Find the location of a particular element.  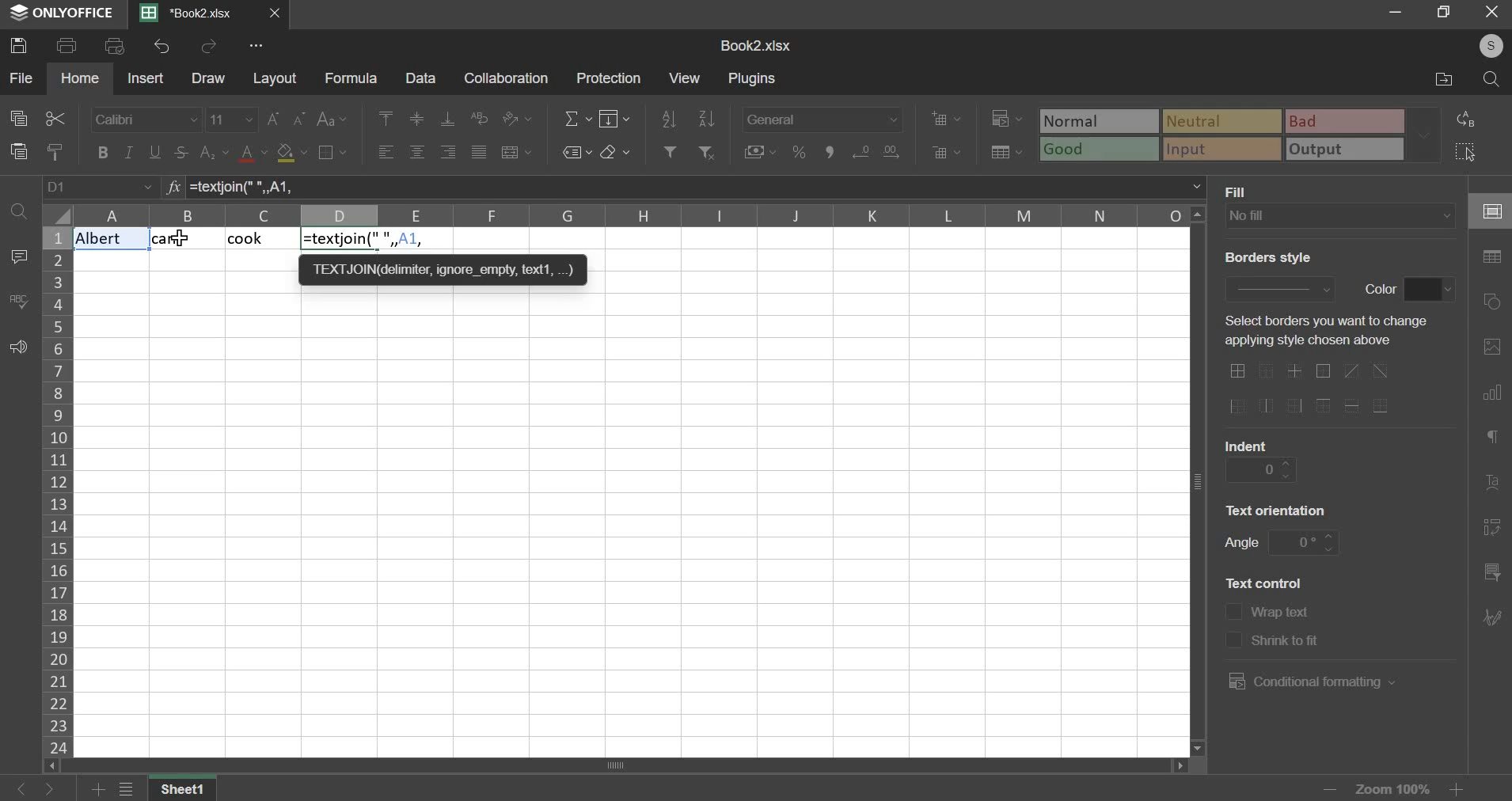

table is located at coordinates (1492, 257).